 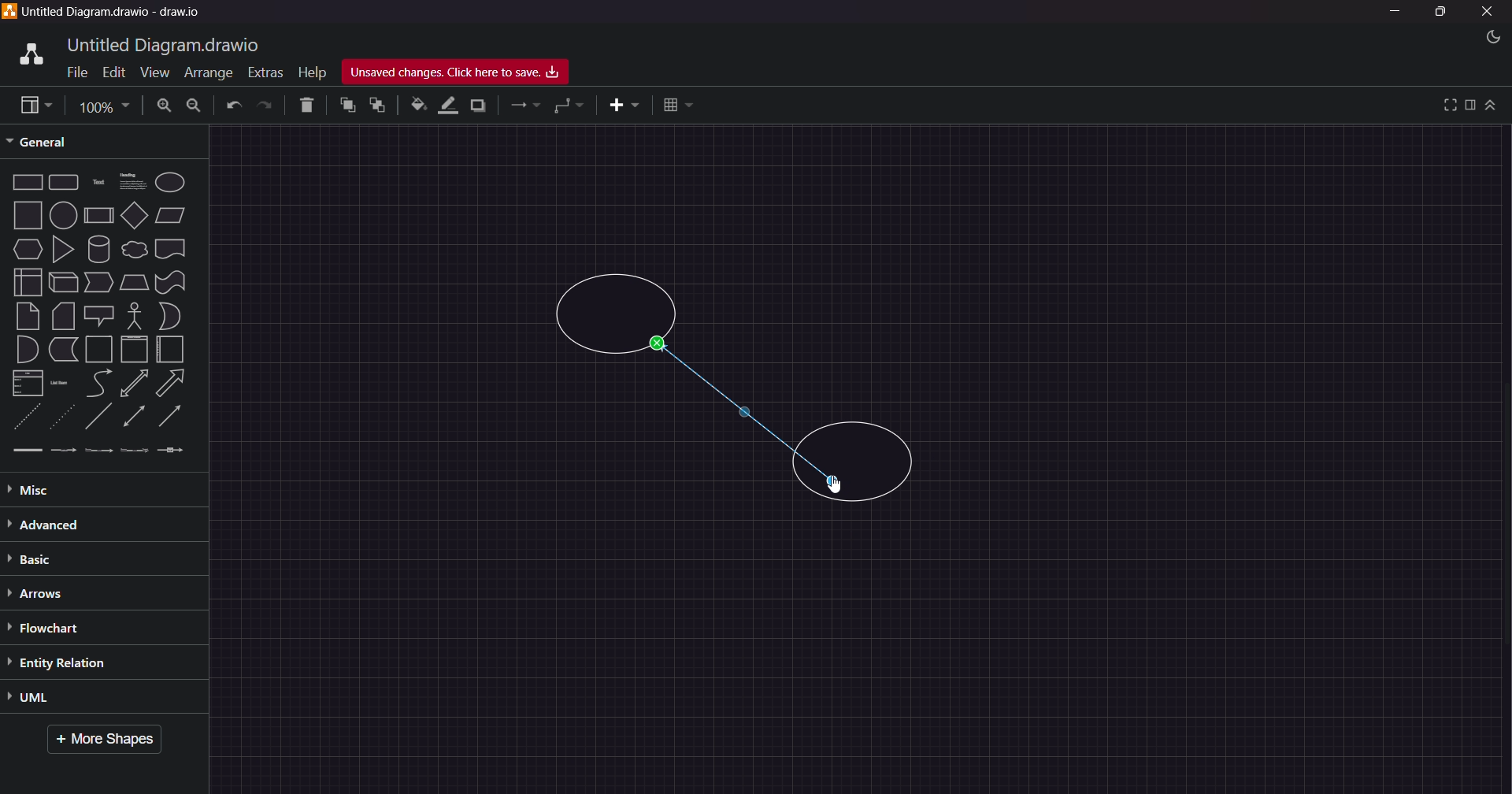 What do you see at coordinates (303, 106) in the screenshot?
I see `Delete` at bounding box center [303, 106].